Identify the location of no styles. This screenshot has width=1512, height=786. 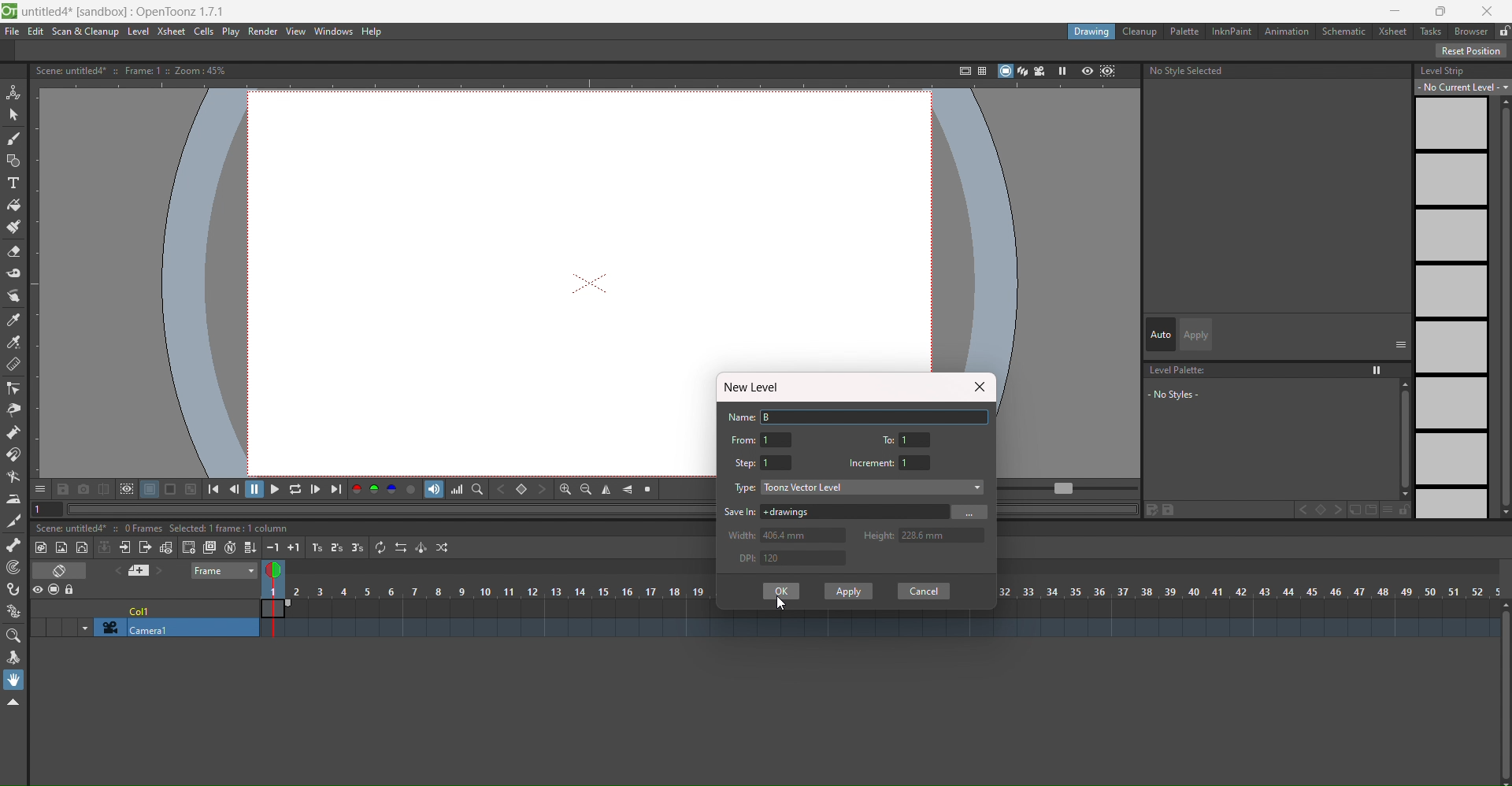
(1191, 394).